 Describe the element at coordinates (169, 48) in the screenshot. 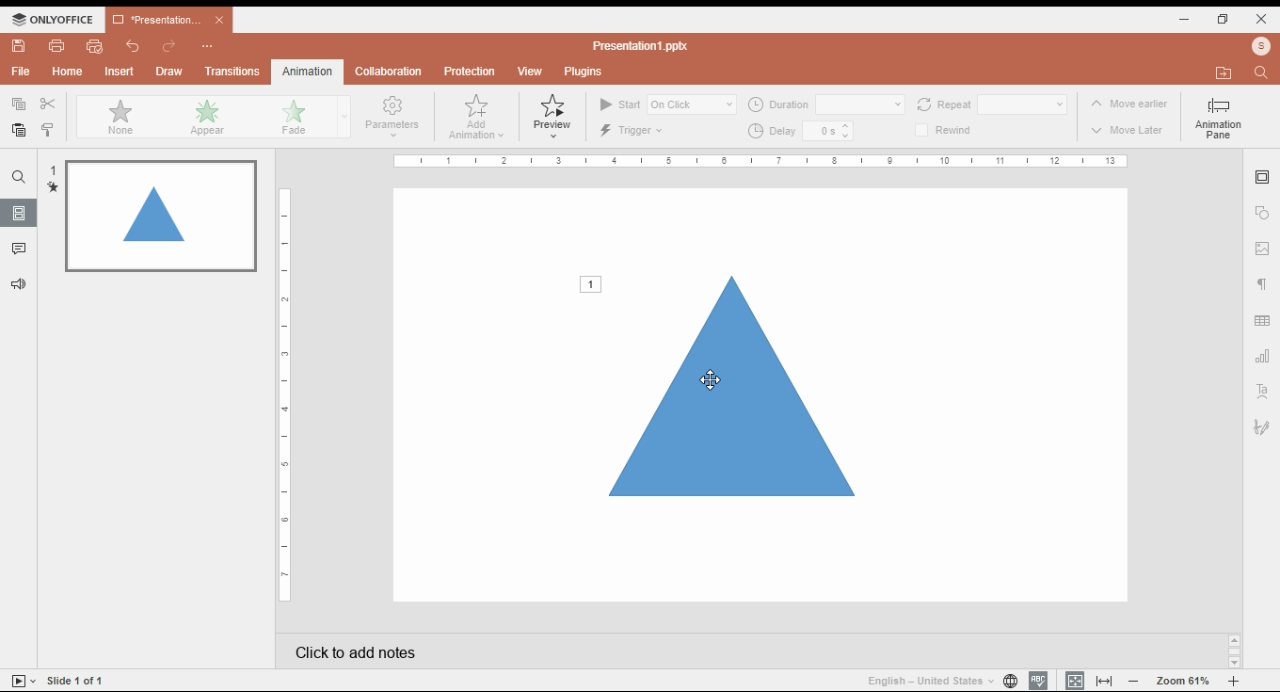

I see `redo` at that location.